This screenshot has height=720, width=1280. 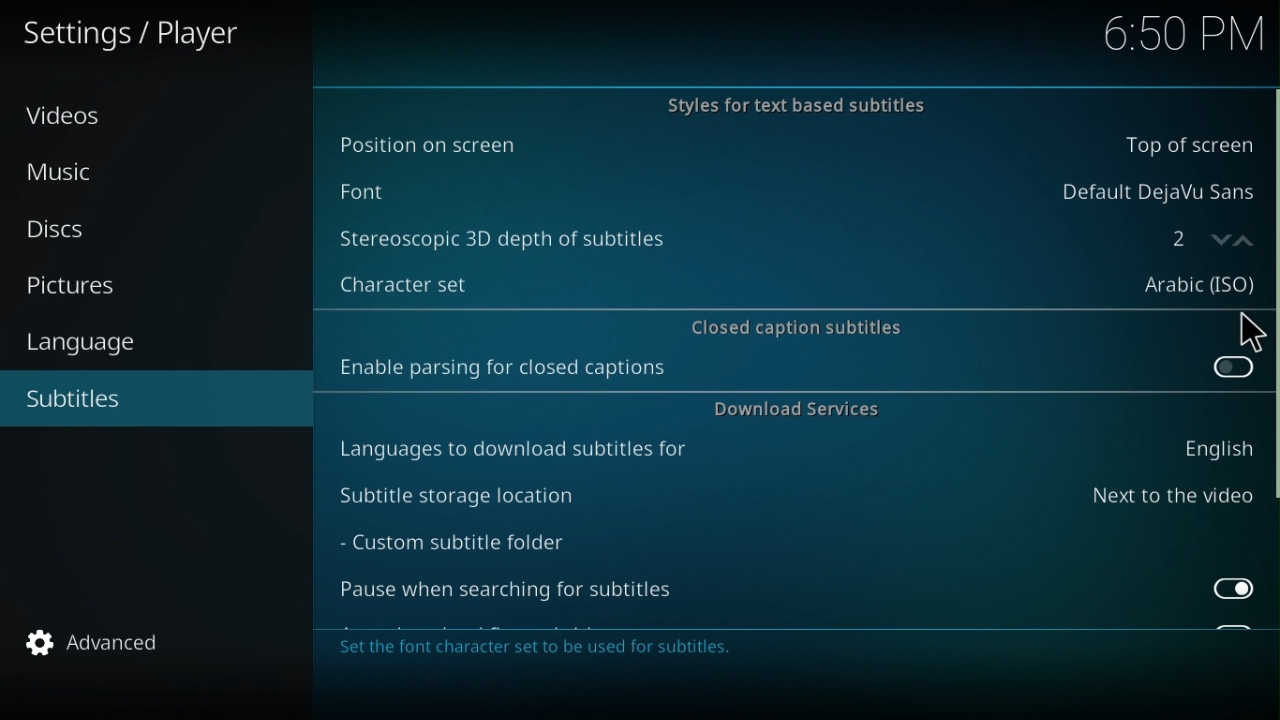 What do you see at coordinates (556, 649) in the screenshot?
I see `Description` at bounding box center [556, 649].